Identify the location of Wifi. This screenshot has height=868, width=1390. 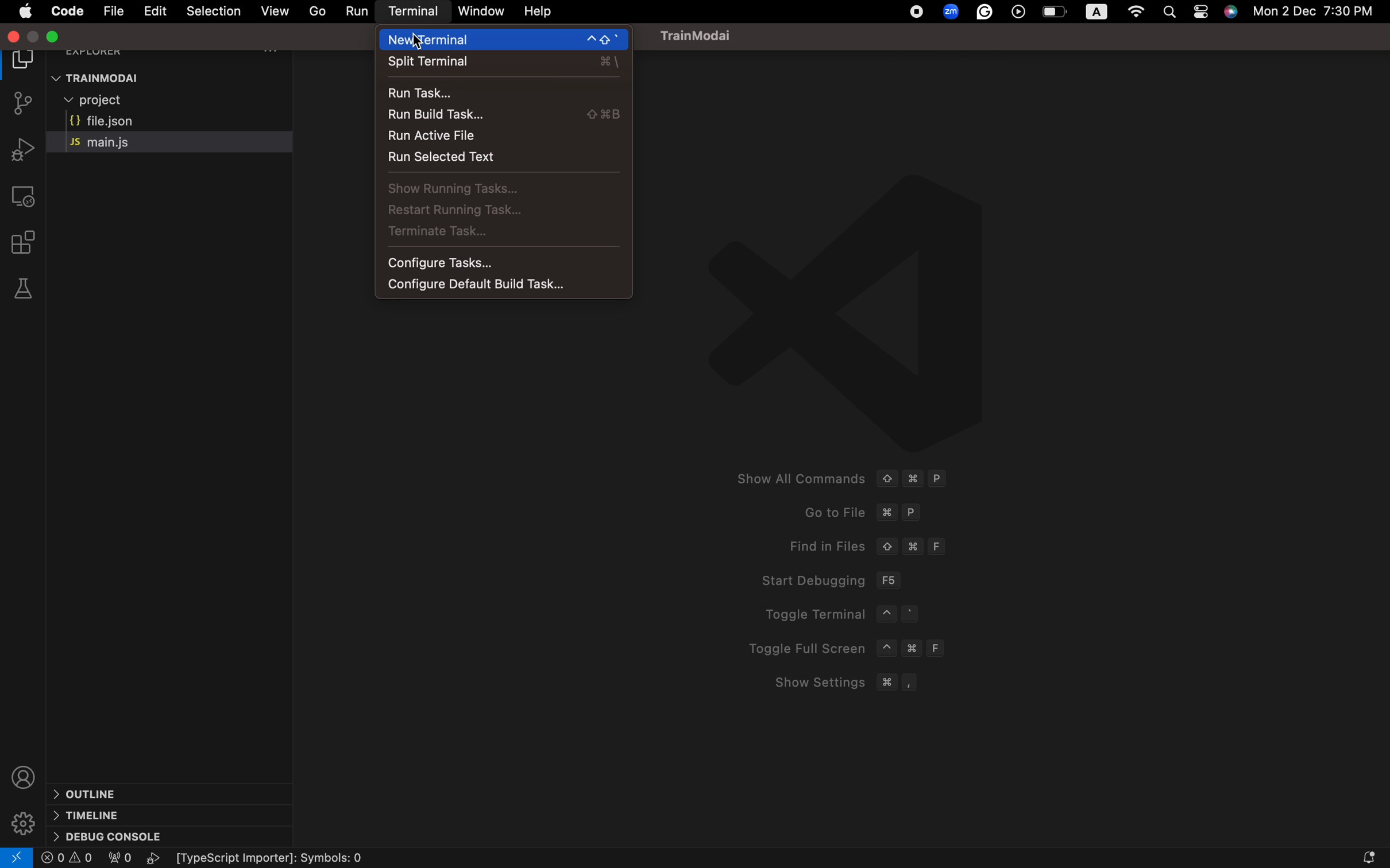
(1136, 13).